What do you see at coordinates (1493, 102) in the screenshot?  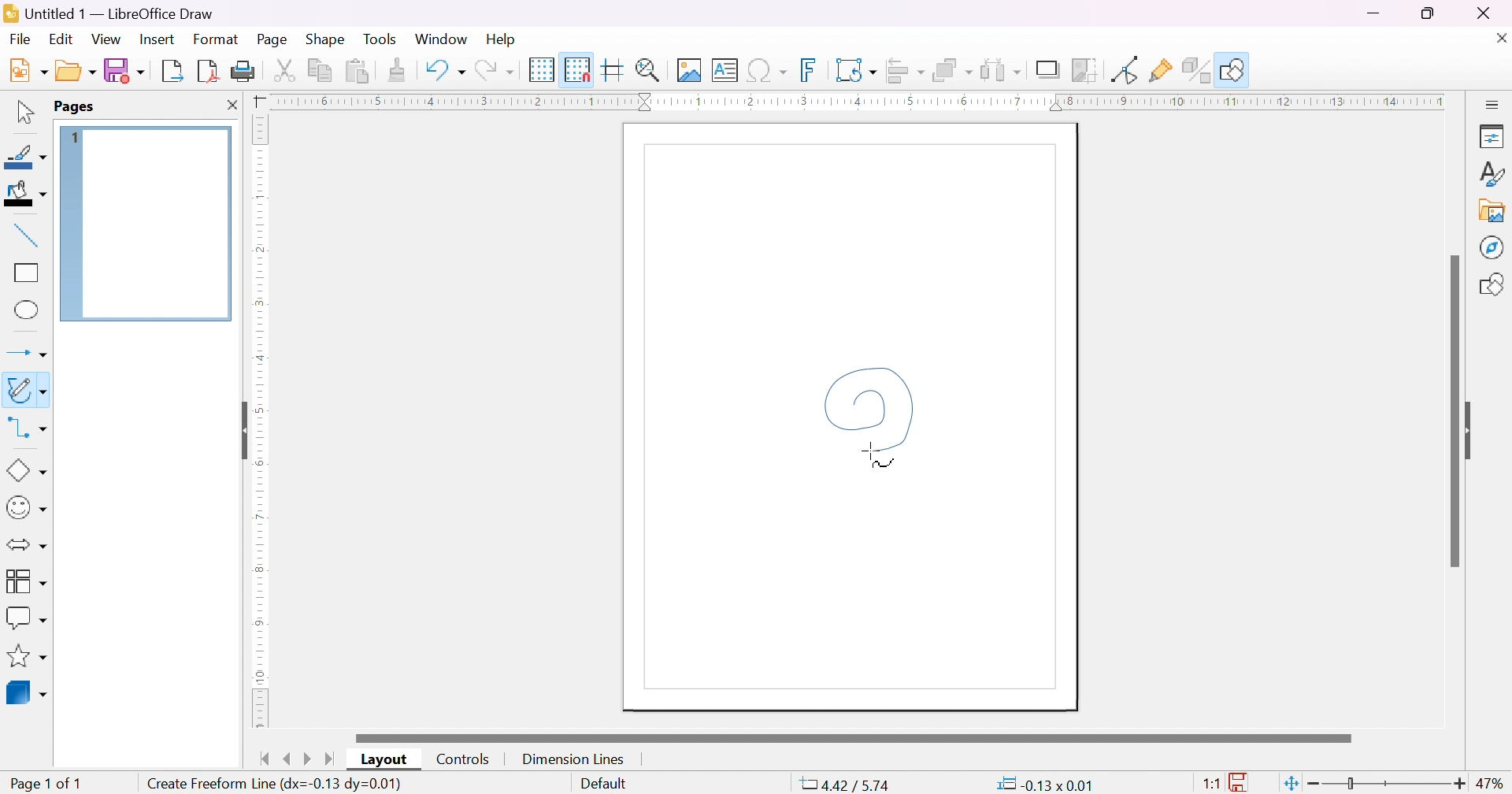 I see `slidebar settings` at bounding box center [1493, 102].